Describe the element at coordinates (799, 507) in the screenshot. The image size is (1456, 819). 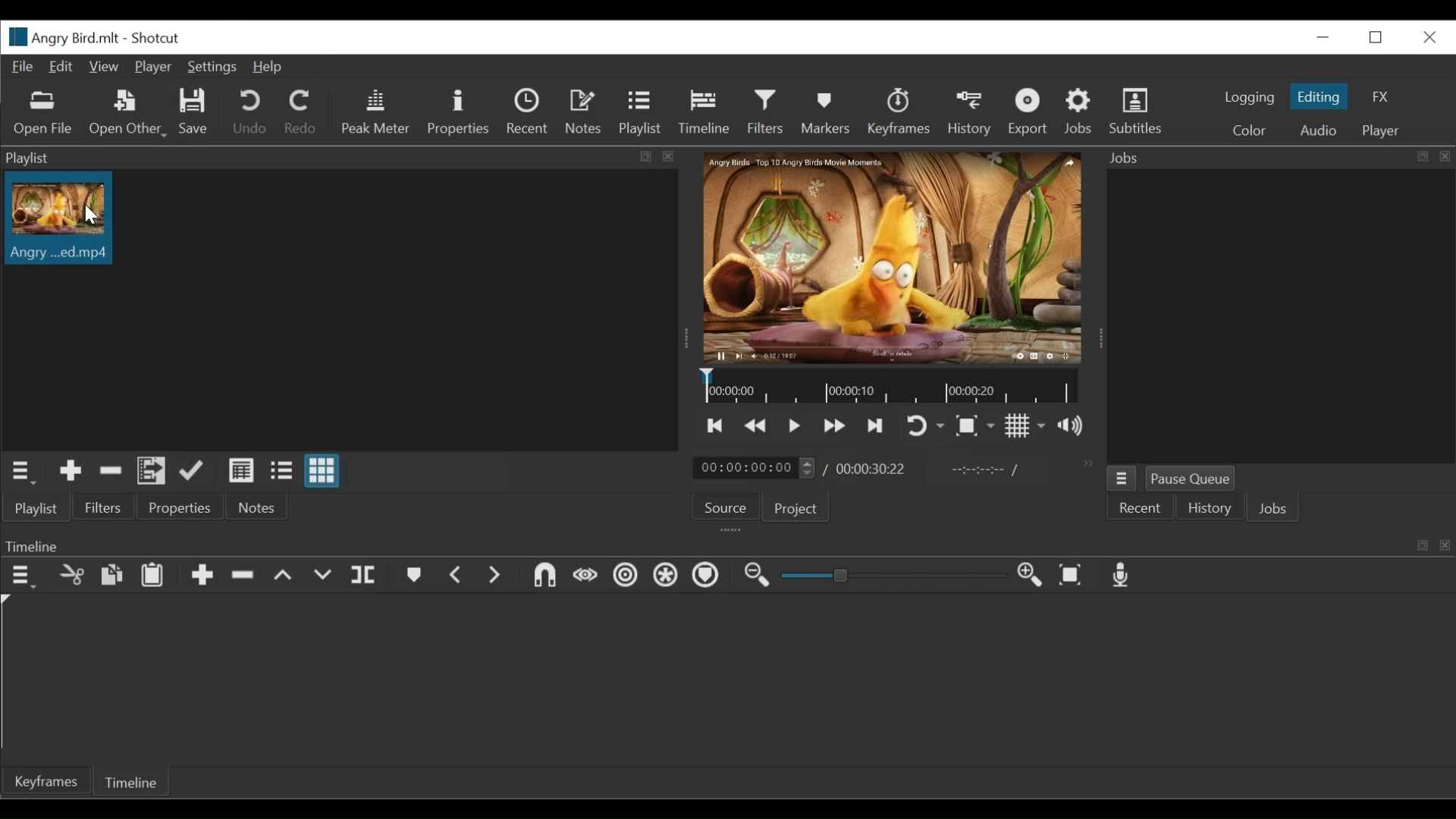
I see `Project` at that location.